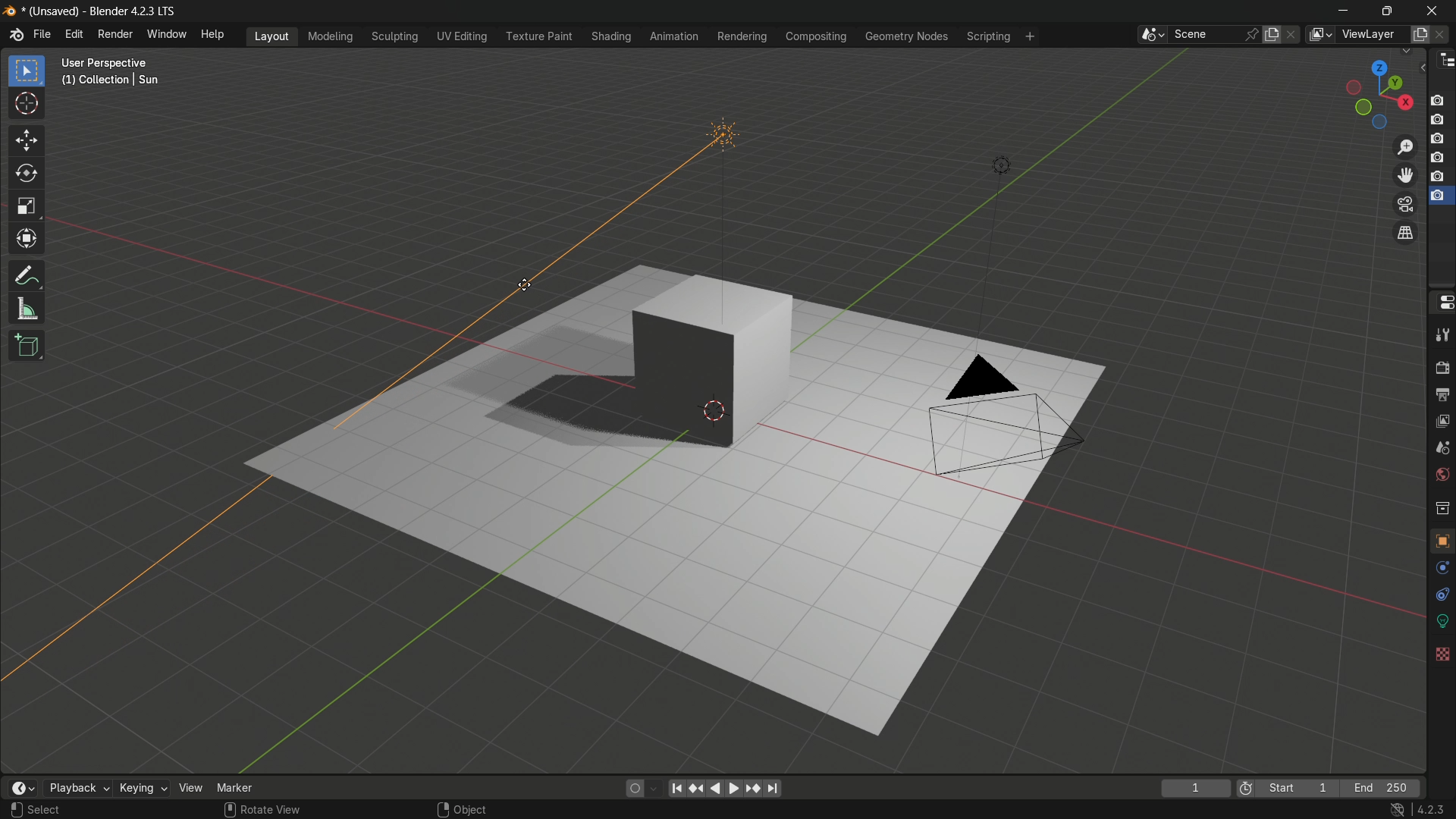  Describe the element at coordinates (168, 36) in the screenshot. I see `window` at that location.